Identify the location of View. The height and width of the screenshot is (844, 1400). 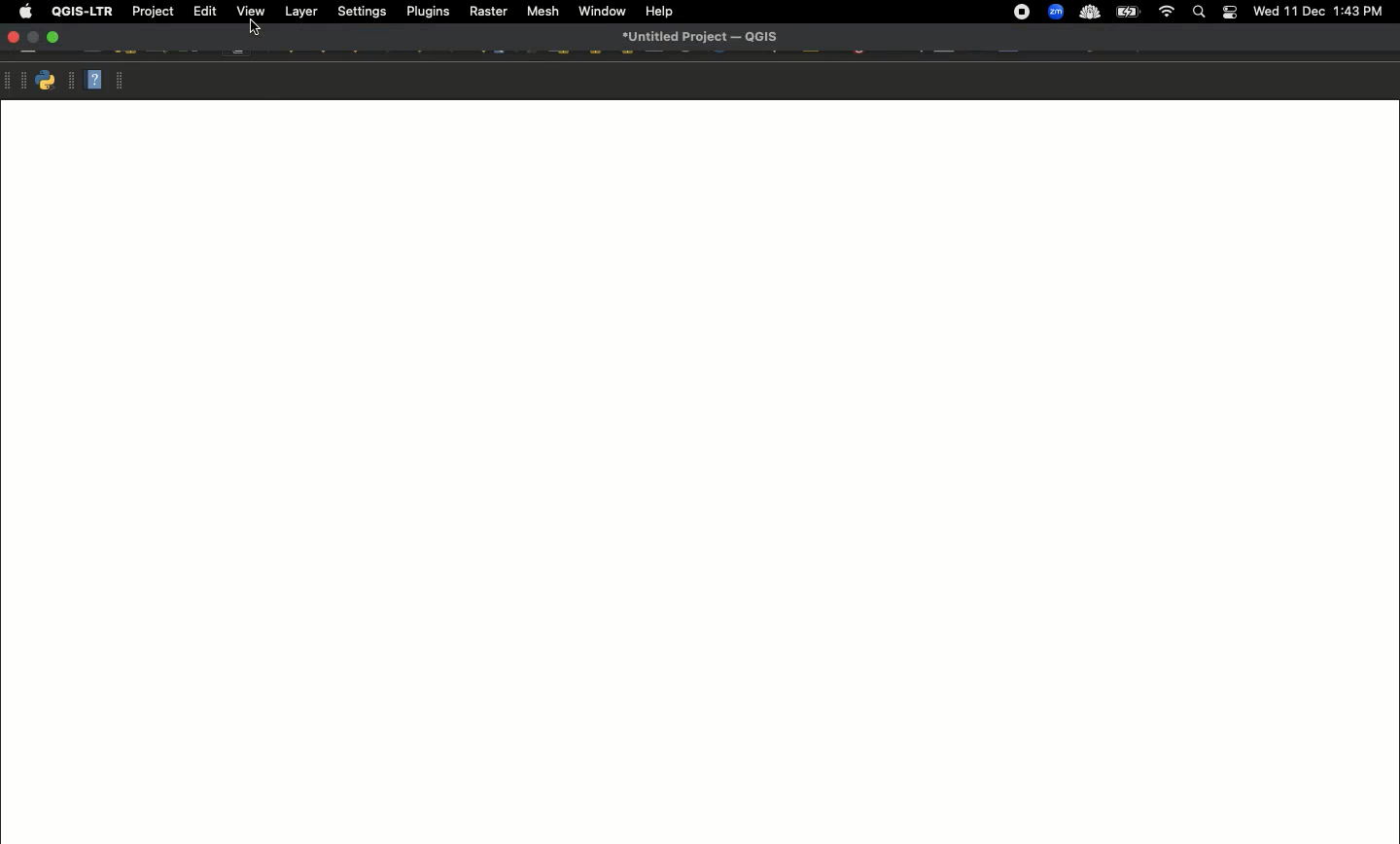
(249, 11).